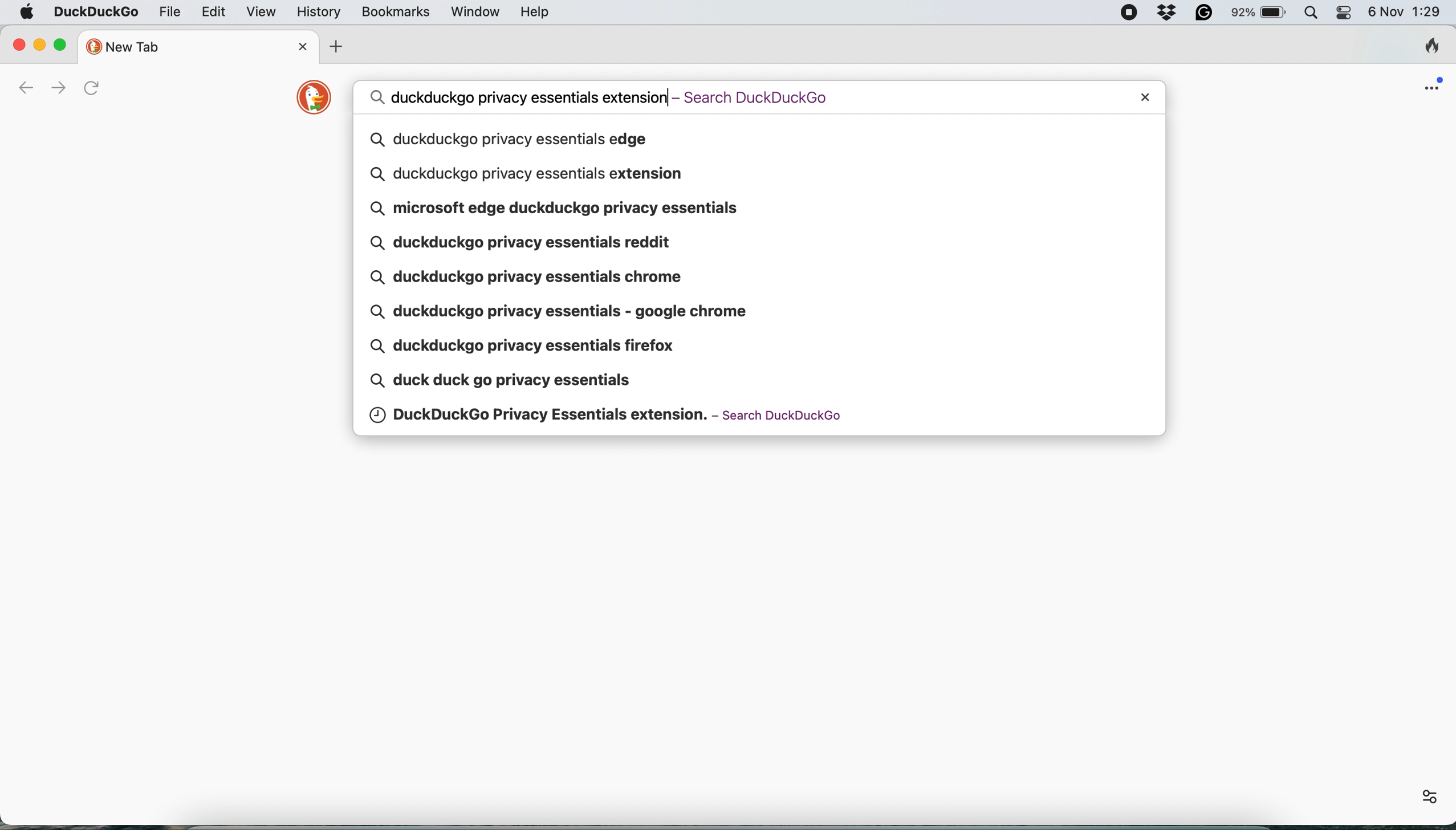 This screenshot has height=830, width=1456. What do you see at coordinates (759, 278) in the screenshot?
I see `search queries pop up` at bounding box center [759, 278].